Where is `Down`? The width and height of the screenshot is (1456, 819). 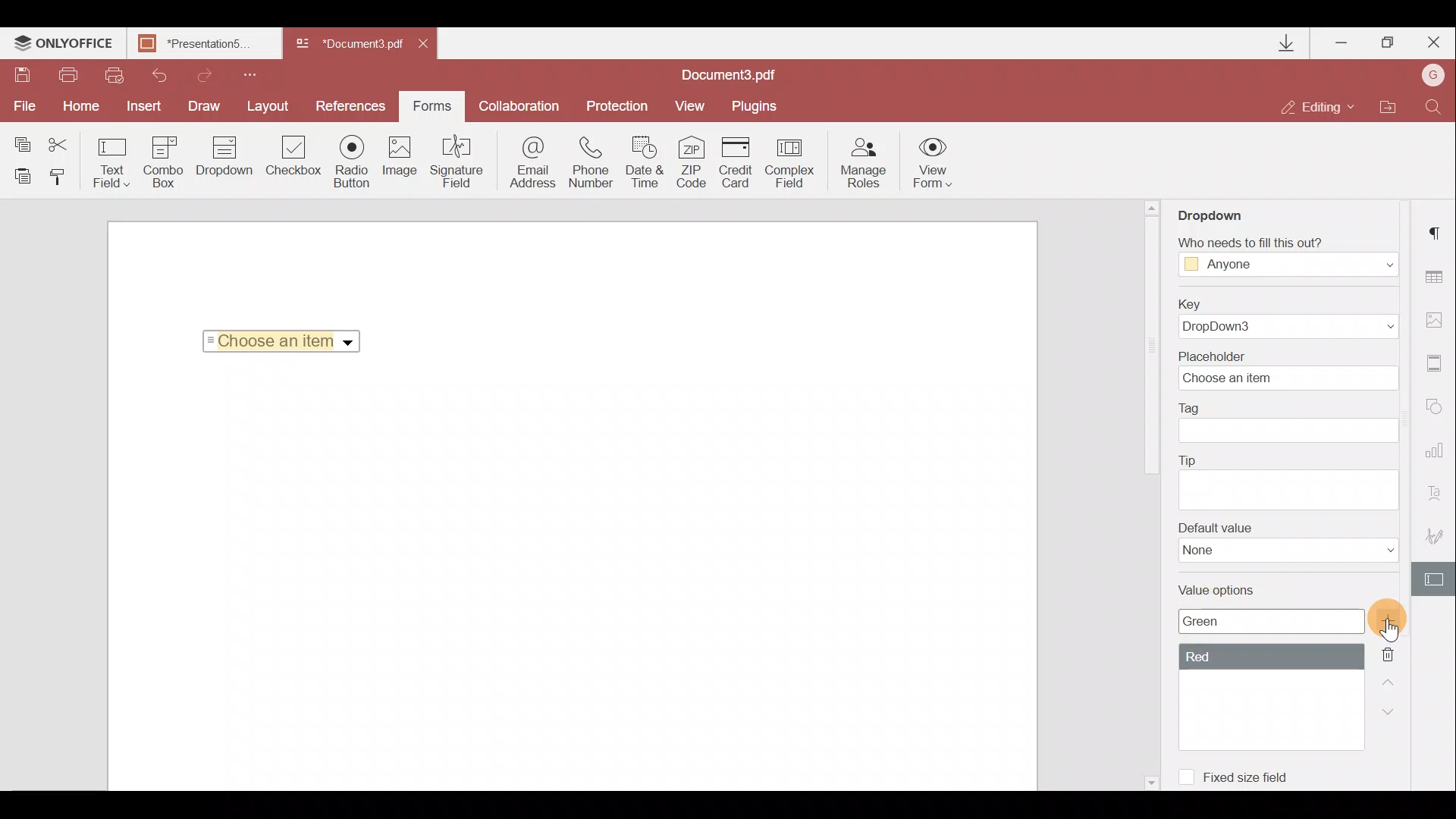
Down is located at coordinates (1385, 711).